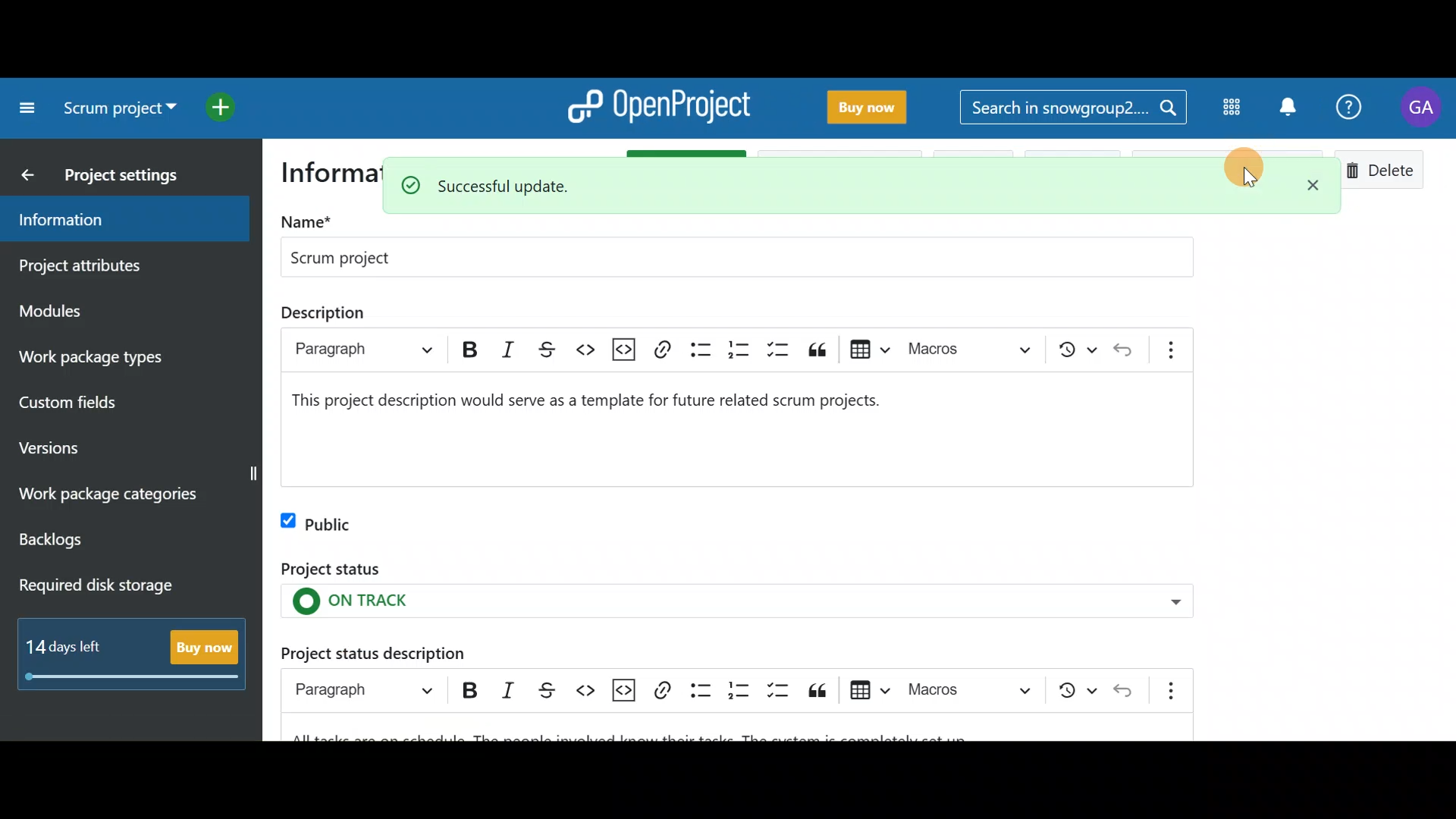 The width and height of the screenshot is (1456, 819). Describe the element at coordinates (363, 691) in the screenshot. I see `Heading` at that location.